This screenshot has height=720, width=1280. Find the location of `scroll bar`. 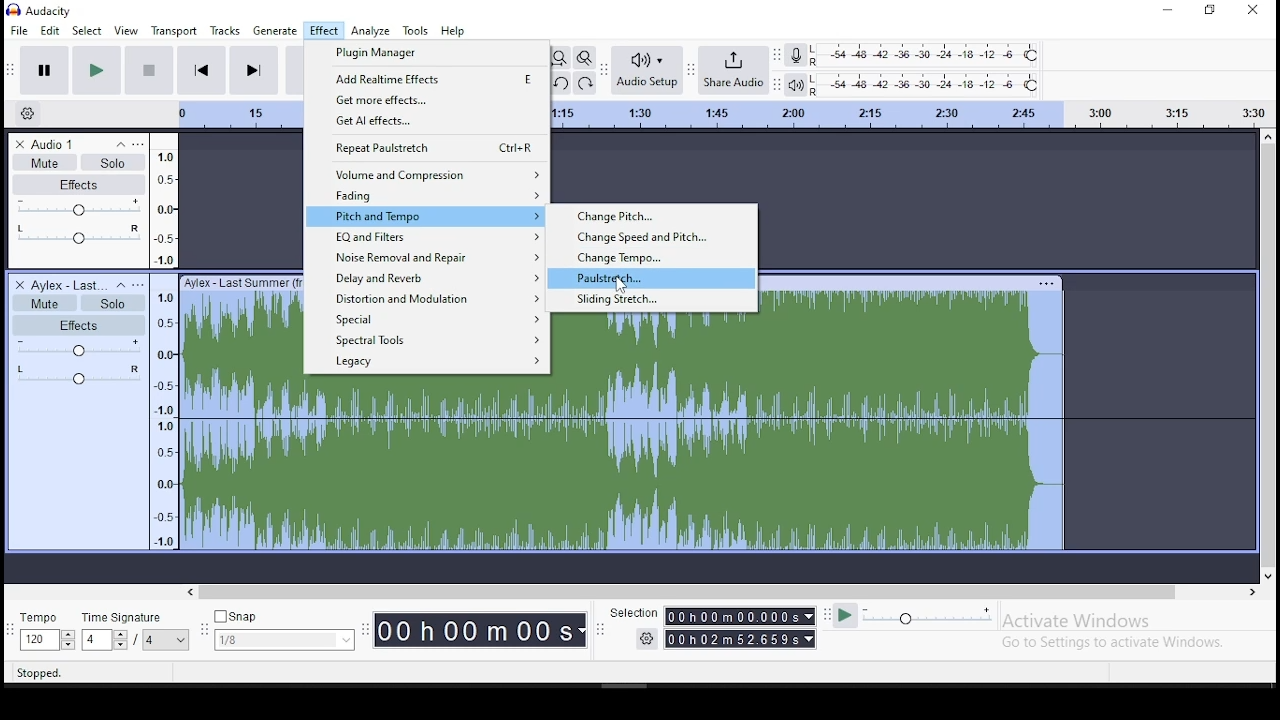

scroll bar is located at coordinates (1268, 357).